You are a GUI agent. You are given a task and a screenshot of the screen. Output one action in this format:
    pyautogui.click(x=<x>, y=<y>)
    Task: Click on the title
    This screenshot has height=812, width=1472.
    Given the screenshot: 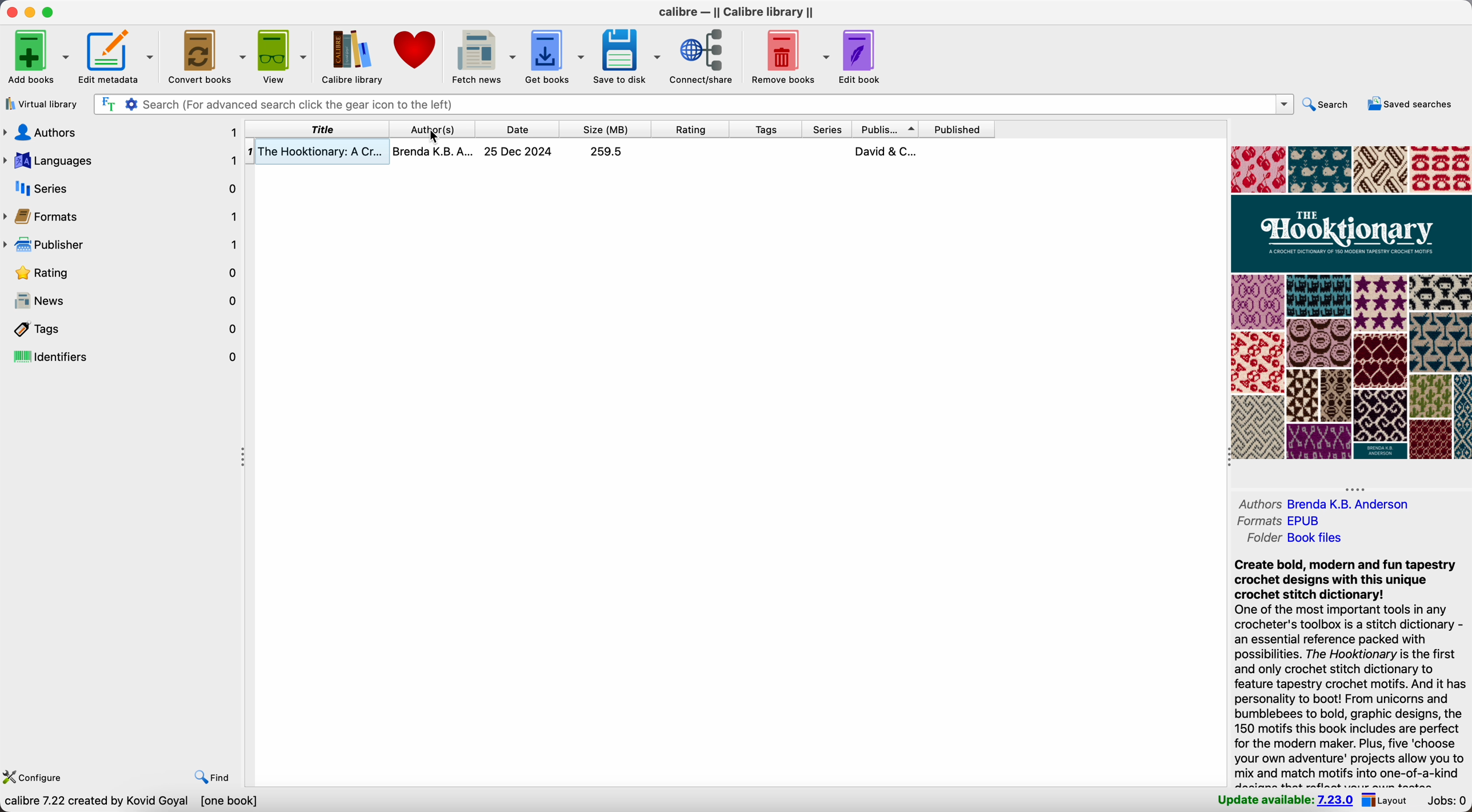 What is the action you would take?
    pyautogui.click(x=320, y=129)
    